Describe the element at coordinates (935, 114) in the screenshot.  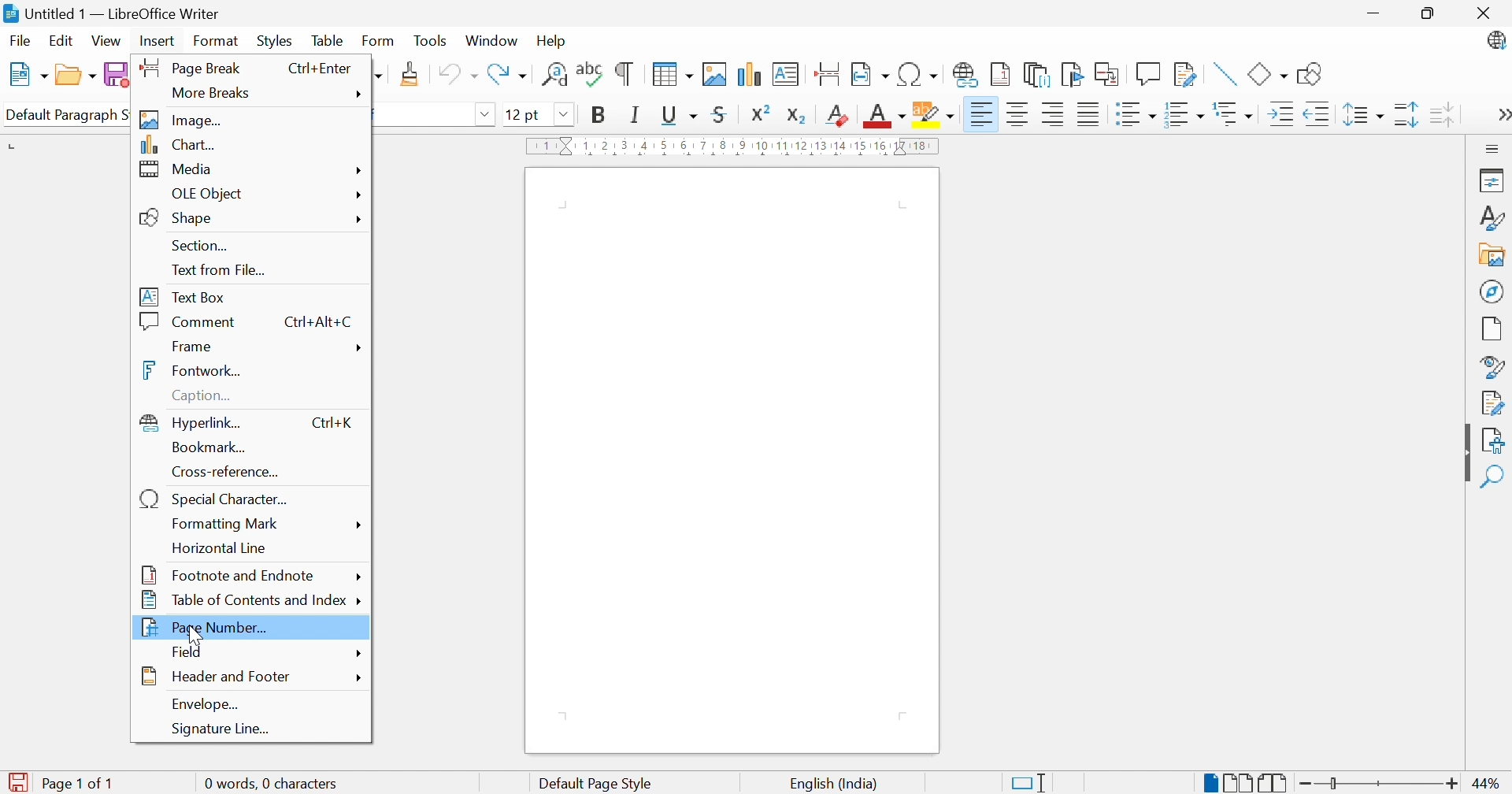
I see `Character highlighting color` at that location.